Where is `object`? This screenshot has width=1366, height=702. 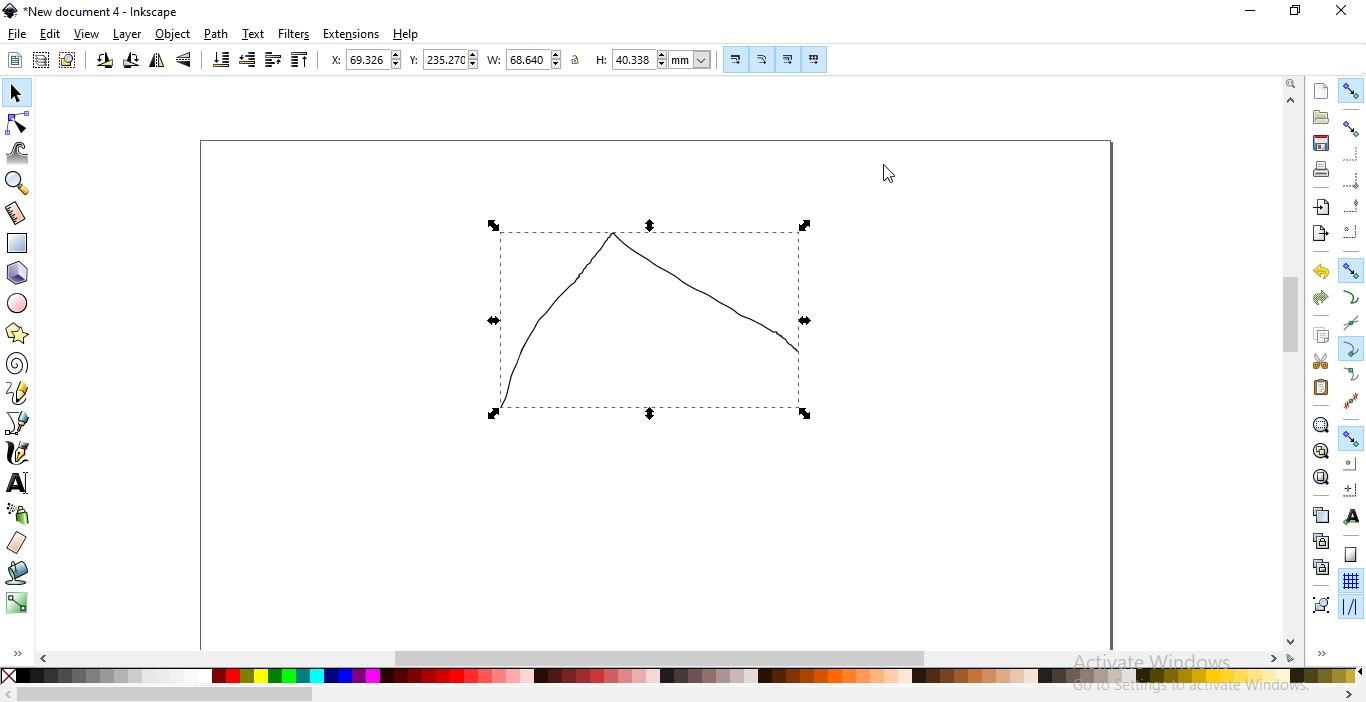 object is located at coordinates (173, 34).